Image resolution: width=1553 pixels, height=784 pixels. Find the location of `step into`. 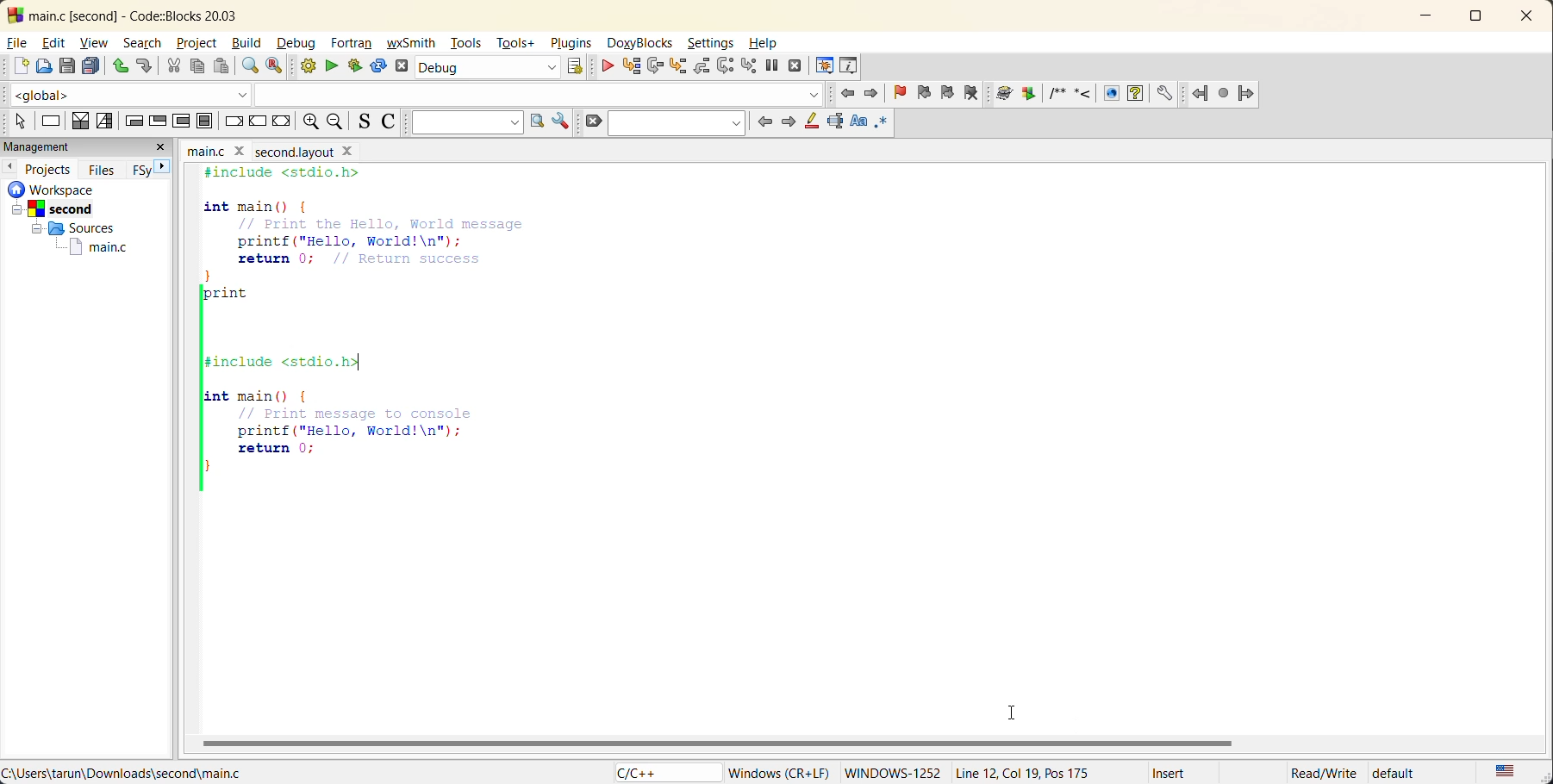

step into is located at coordinates (678, 65).